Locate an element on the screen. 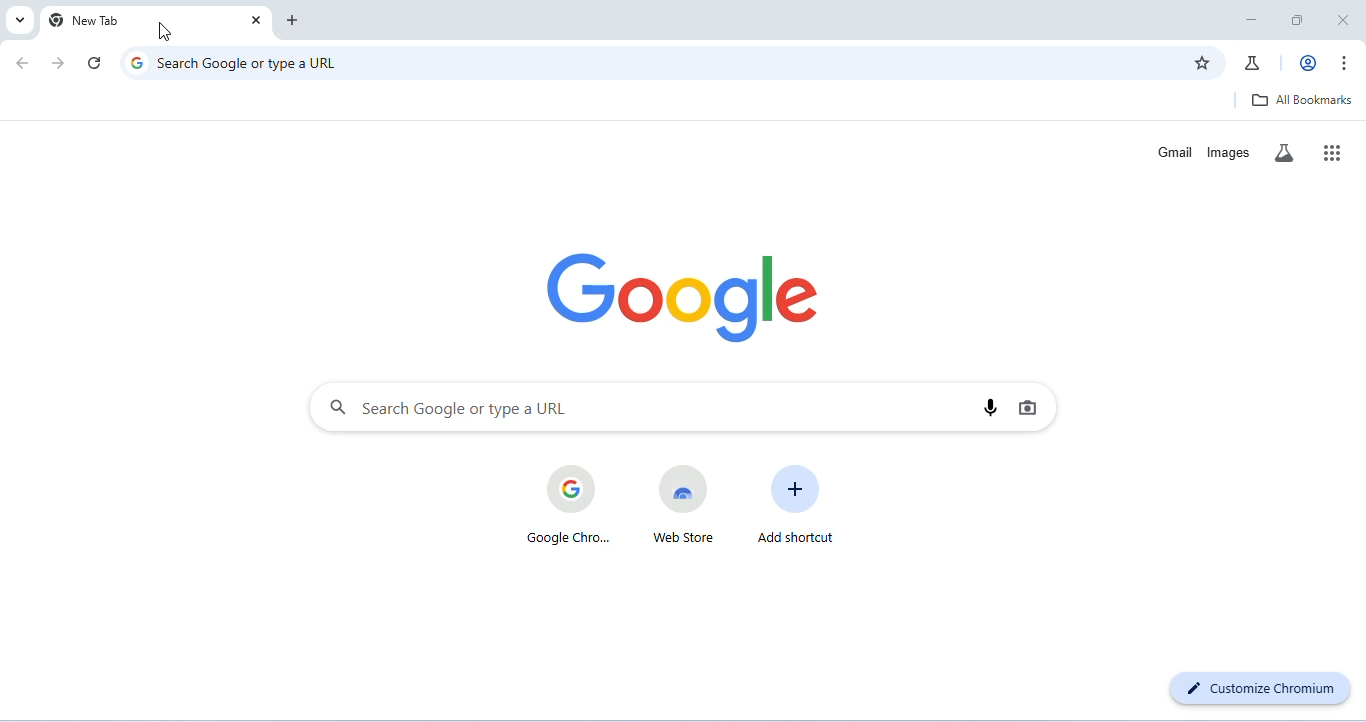 The width and height of the screenshot is (1366, 722). search tabs is located at coordinates (18, 20).